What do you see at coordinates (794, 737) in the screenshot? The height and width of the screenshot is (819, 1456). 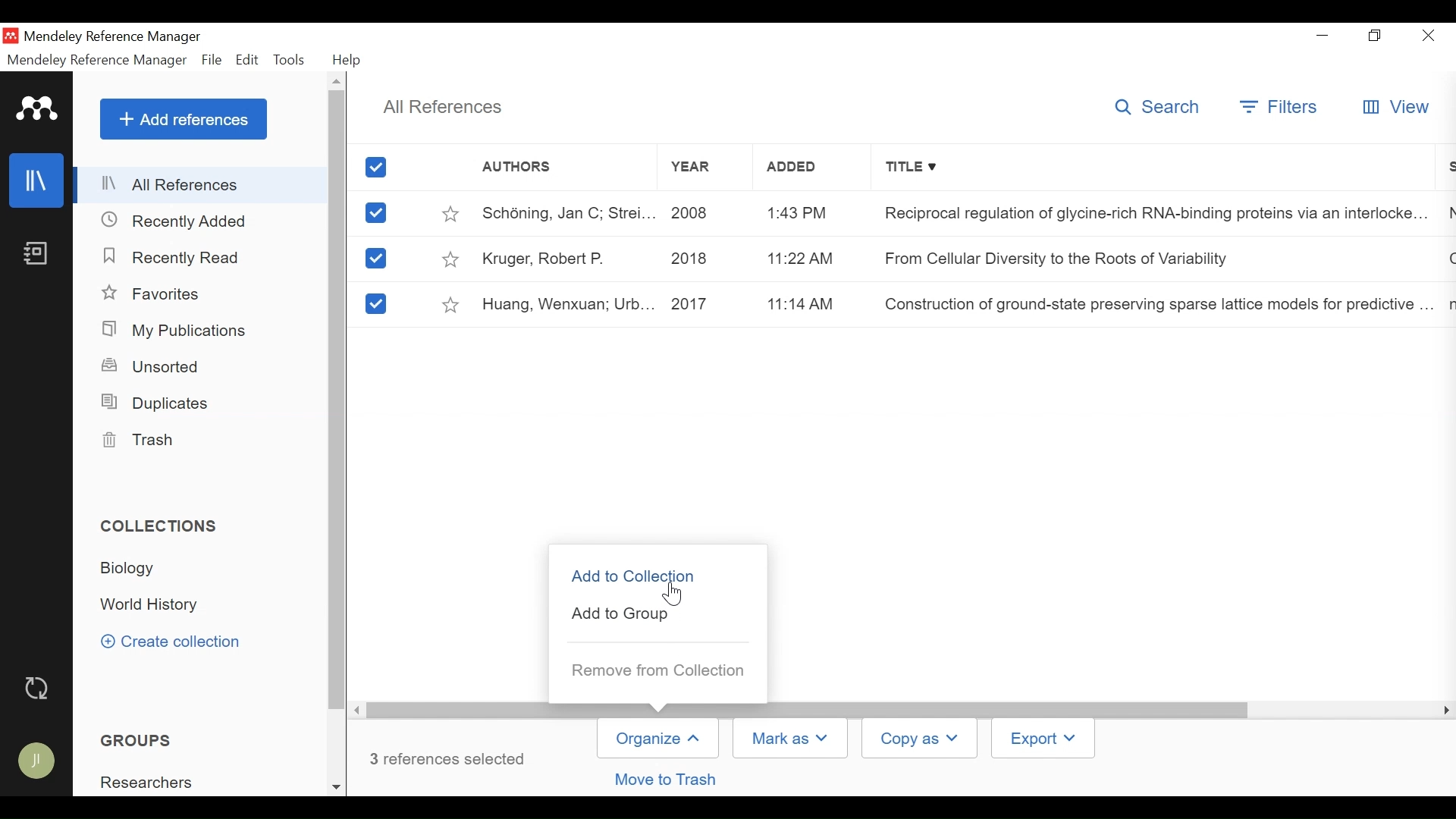 I see `Mark as` at bounding box center [794, 737].